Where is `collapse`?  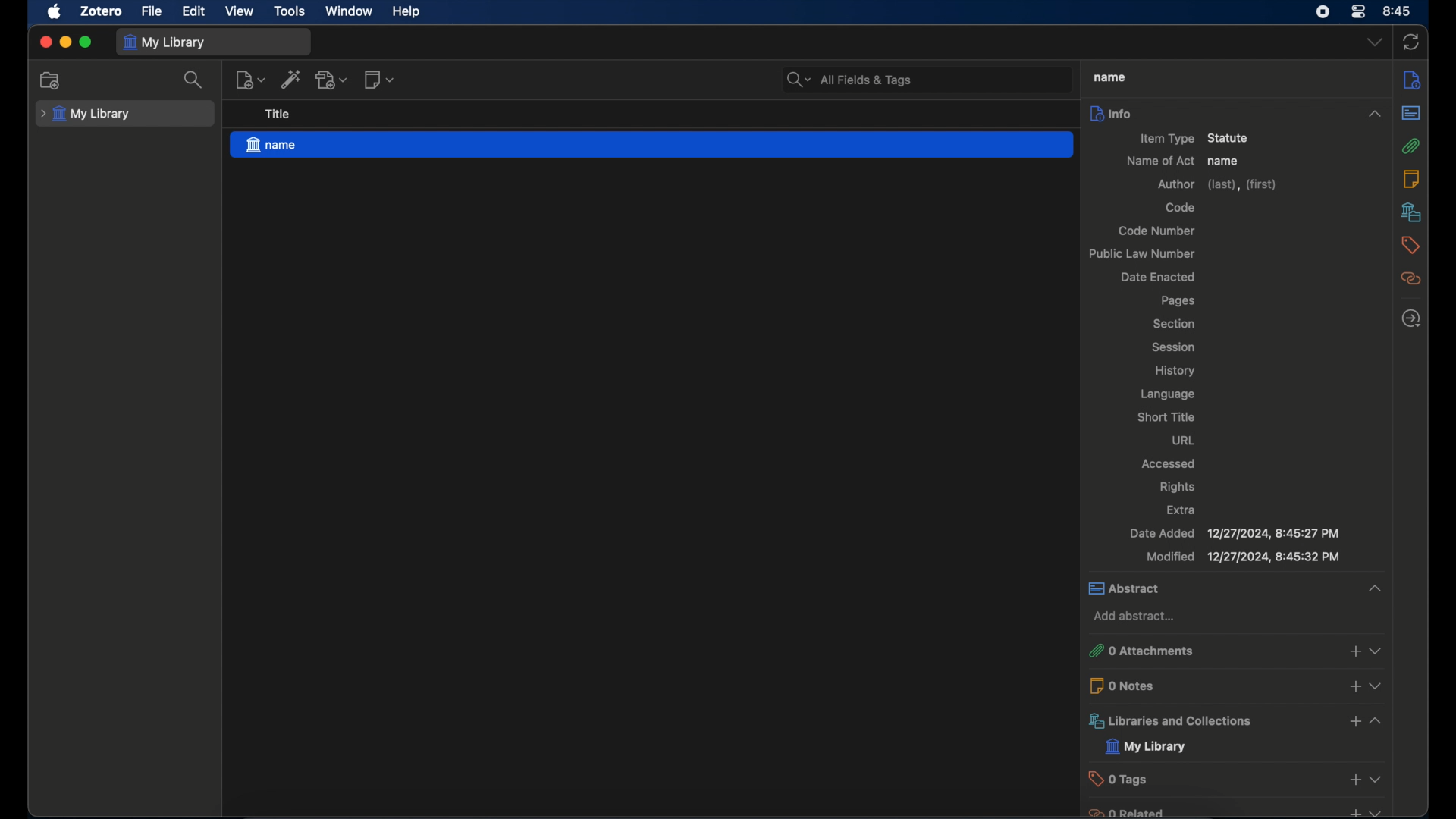 collapse is located at coordinates (1362, 111).